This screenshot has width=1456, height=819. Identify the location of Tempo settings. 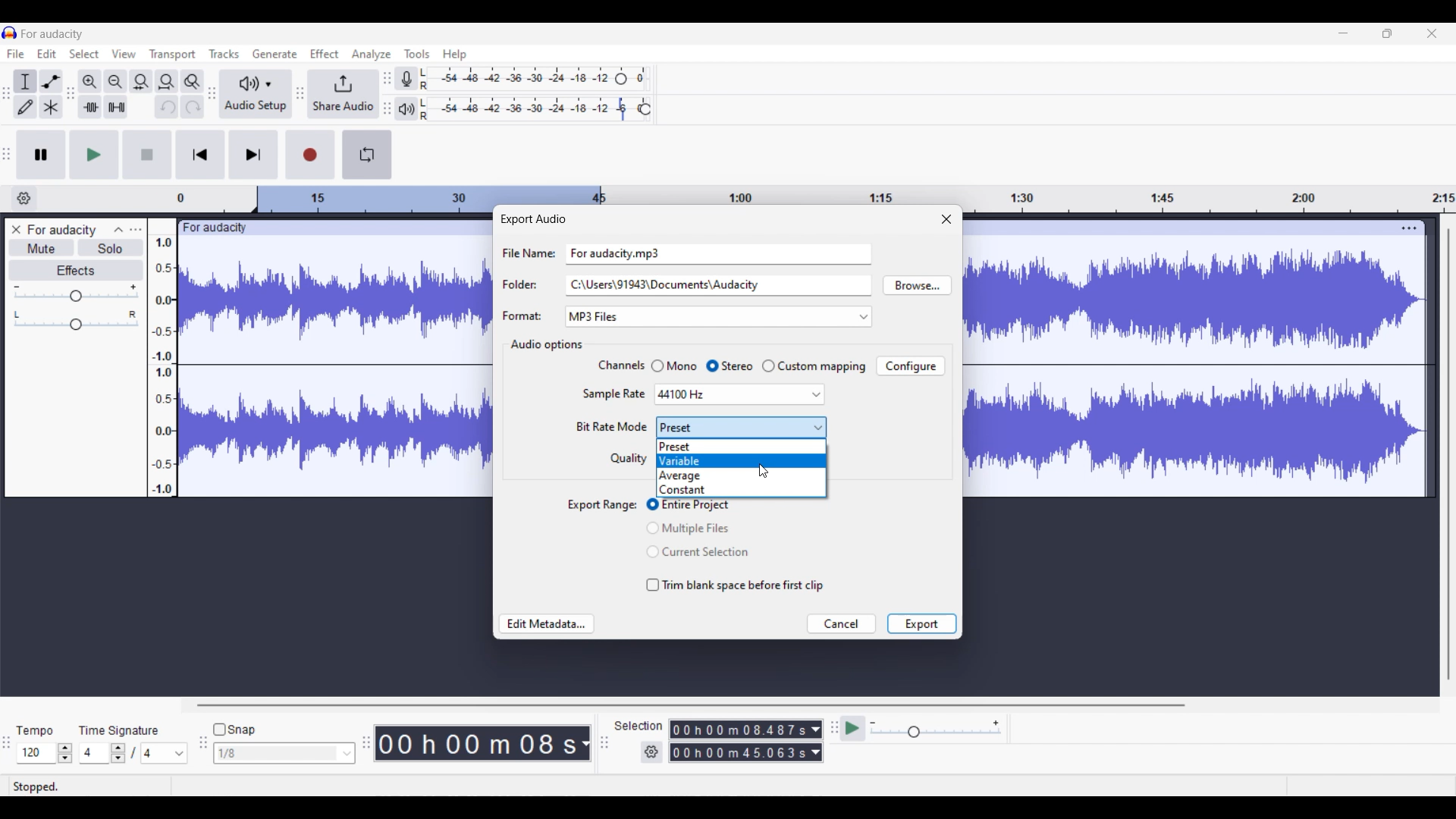
(34, 731).